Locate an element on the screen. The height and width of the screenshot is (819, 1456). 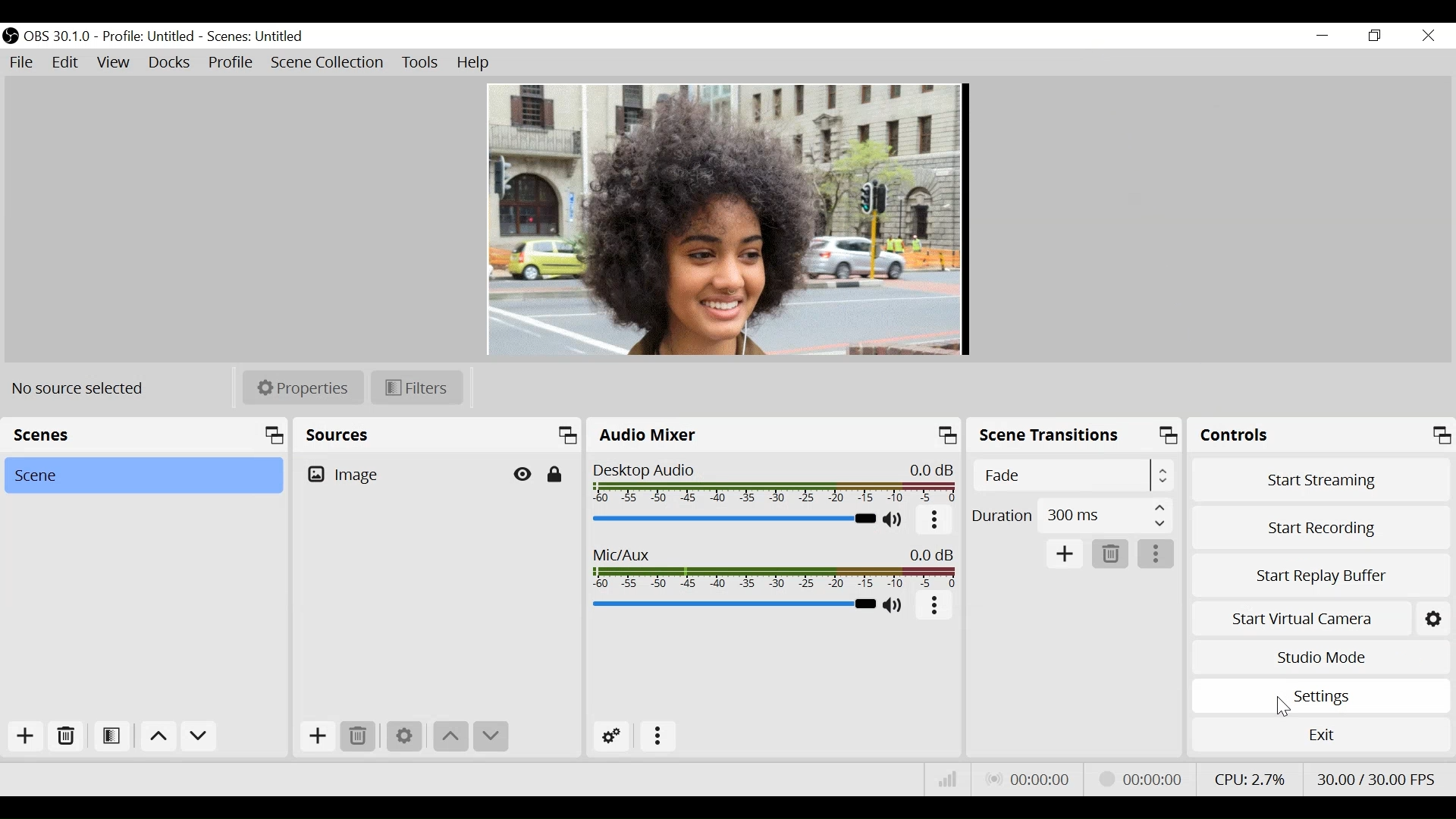
Controls is located at coordinates (1321, 435).